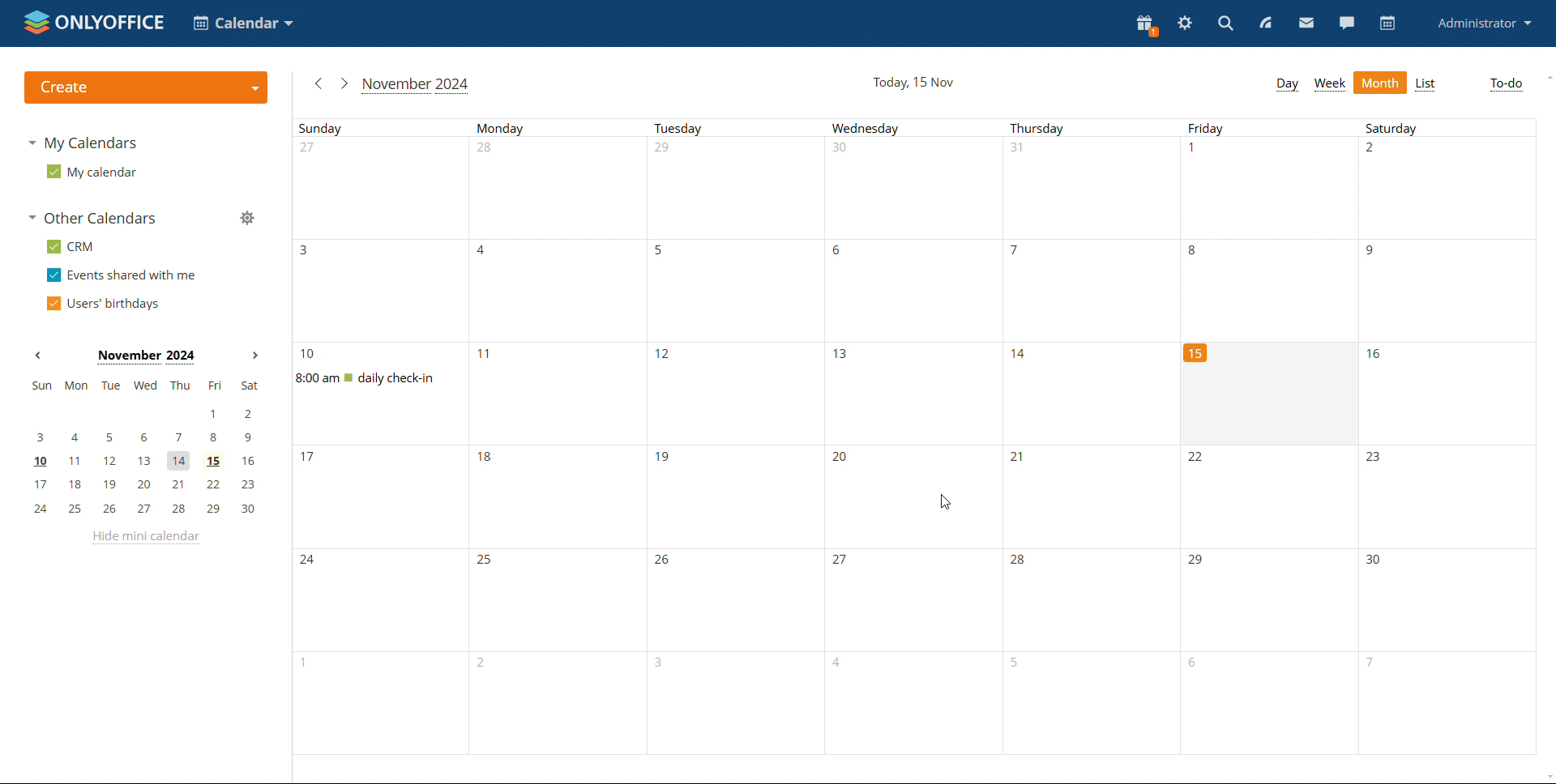 Image resolution: width=1556 pixels, height=784 pixels. I want to click on create, so click(145, 87).